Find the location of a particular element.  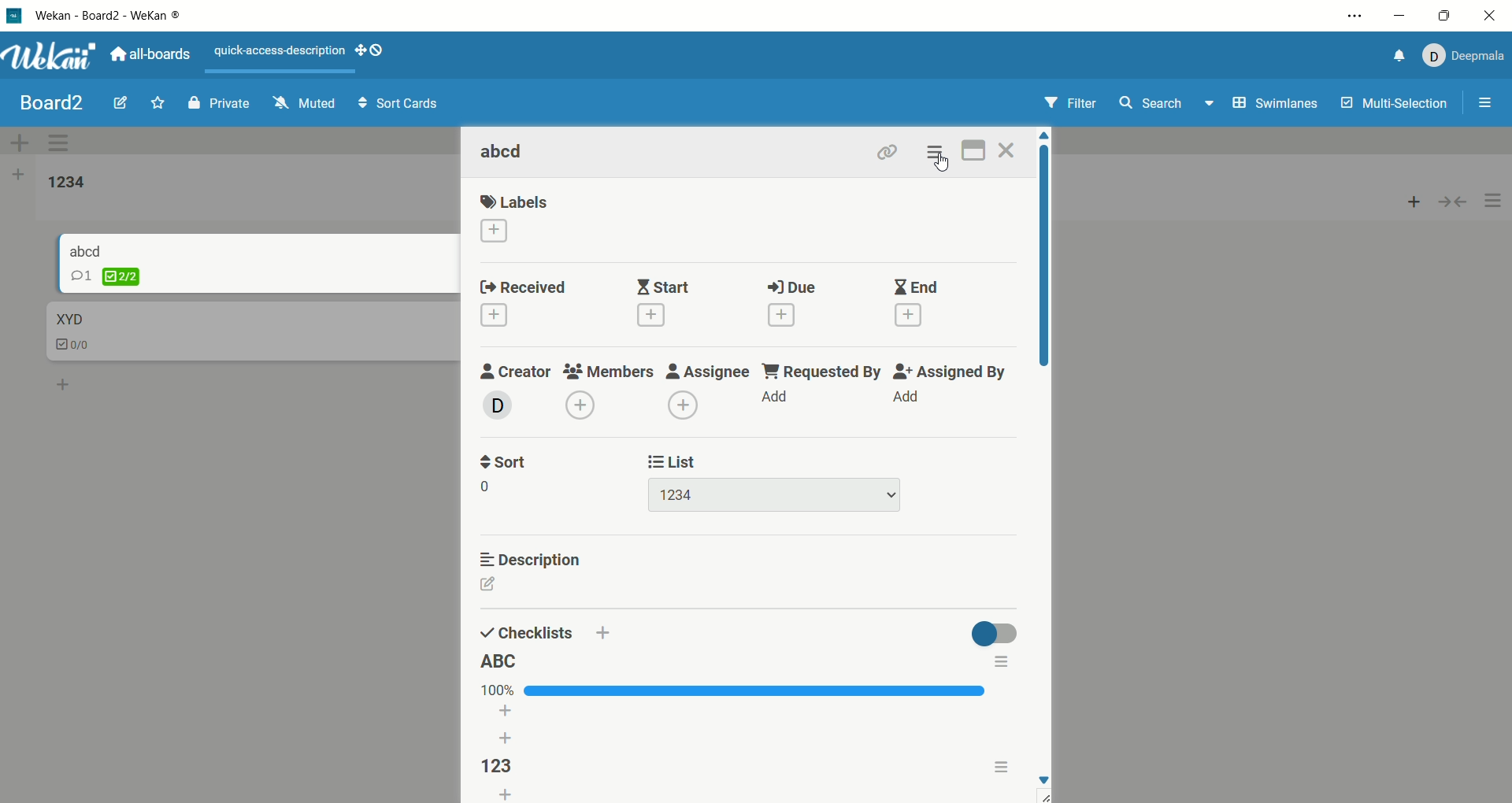

multi-selection is located at coordinates (1393, 110).